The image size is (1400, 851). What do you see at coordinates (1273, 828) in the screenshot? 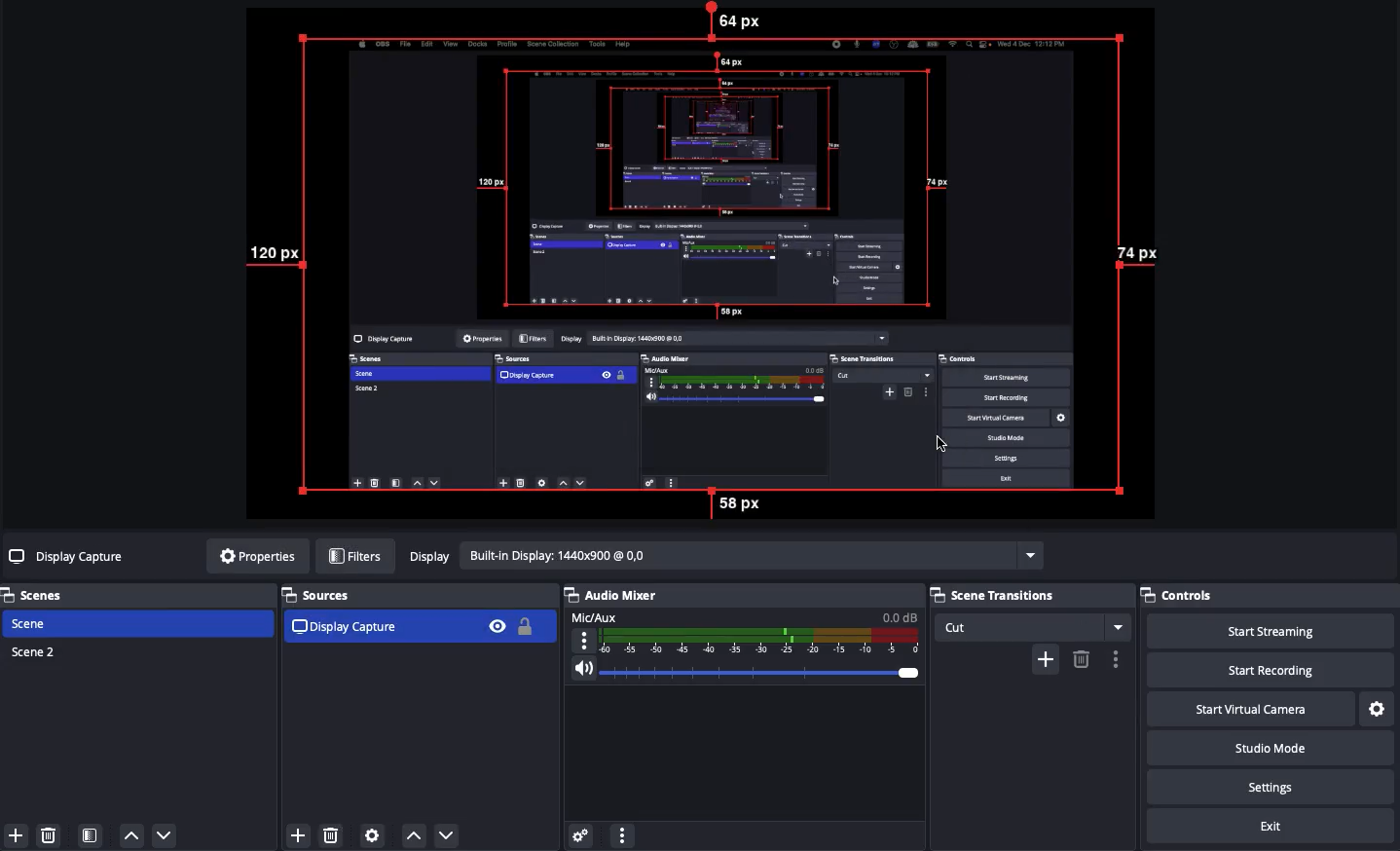
I see `Exit` at bounding box center [1273, 828].